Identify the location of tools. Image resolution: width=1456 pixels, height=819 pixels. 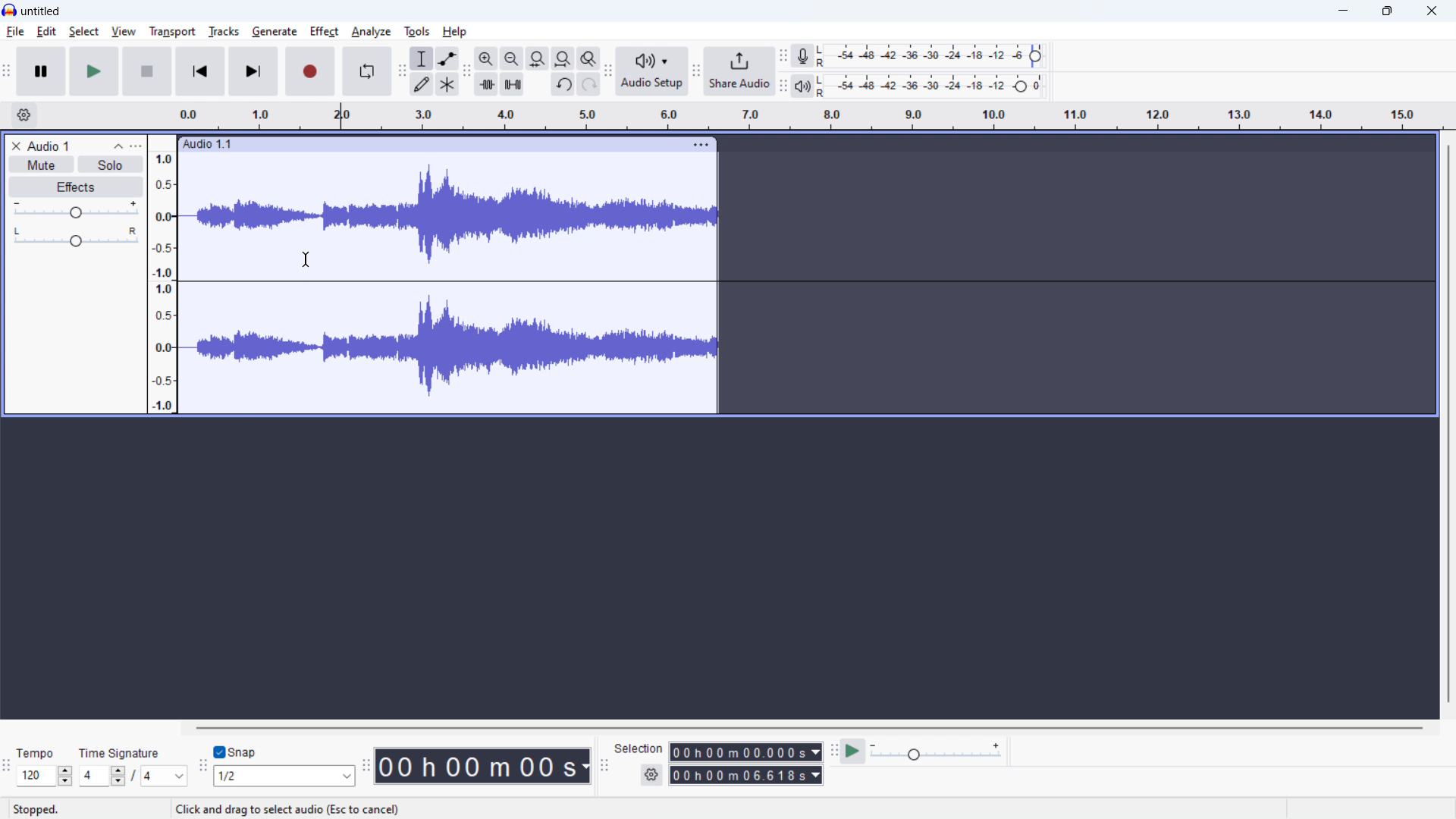
(417, 31).